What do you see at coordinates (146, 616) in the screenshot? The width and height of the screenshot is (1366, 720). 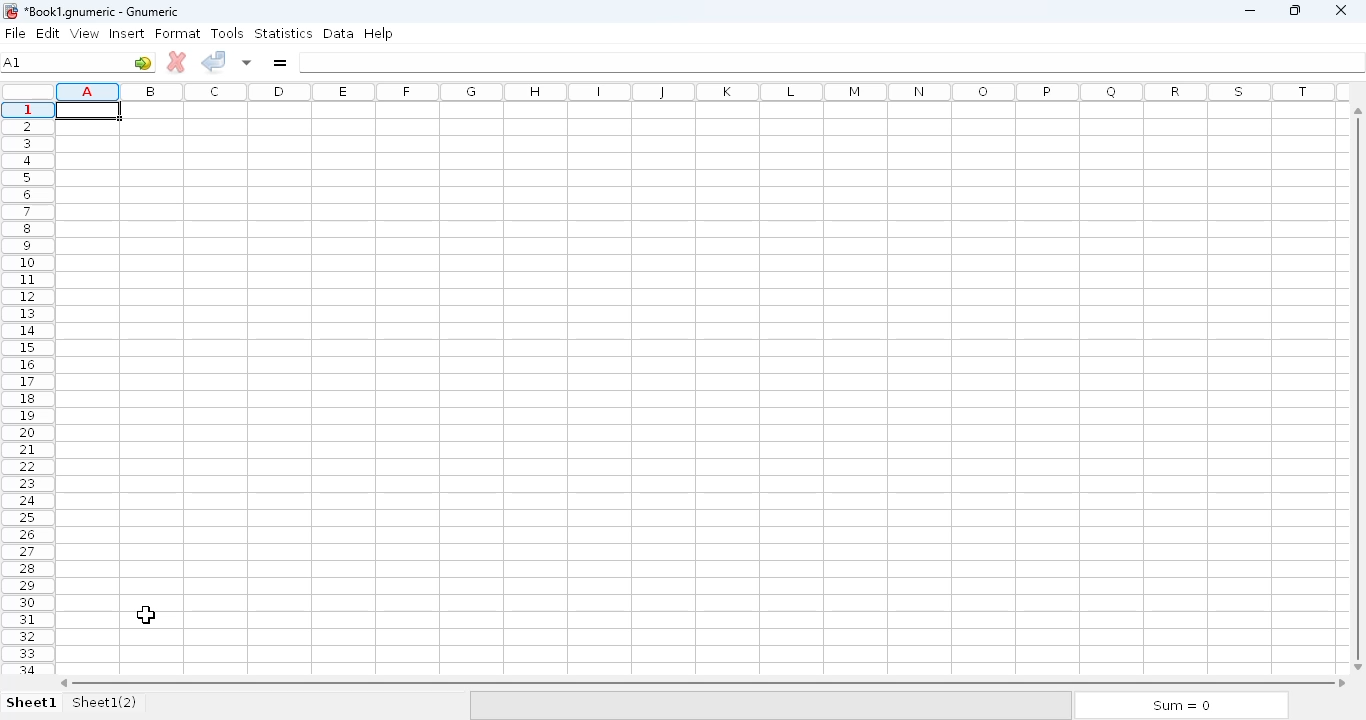 I see `cursor` at bounding box center [146, 616].